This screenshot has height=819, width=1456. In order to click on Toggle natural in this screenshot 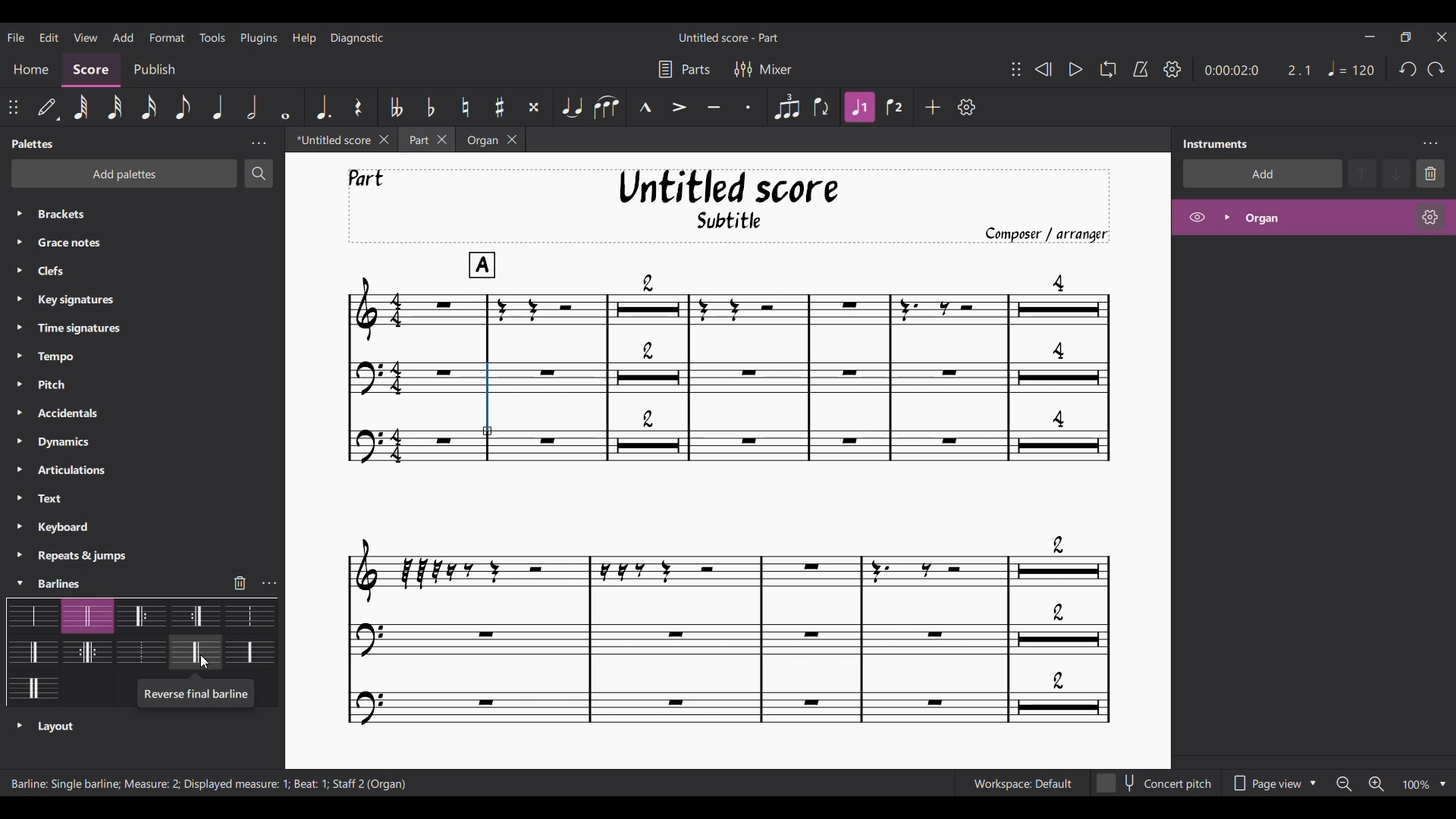, I will do `click(466, 106)`.